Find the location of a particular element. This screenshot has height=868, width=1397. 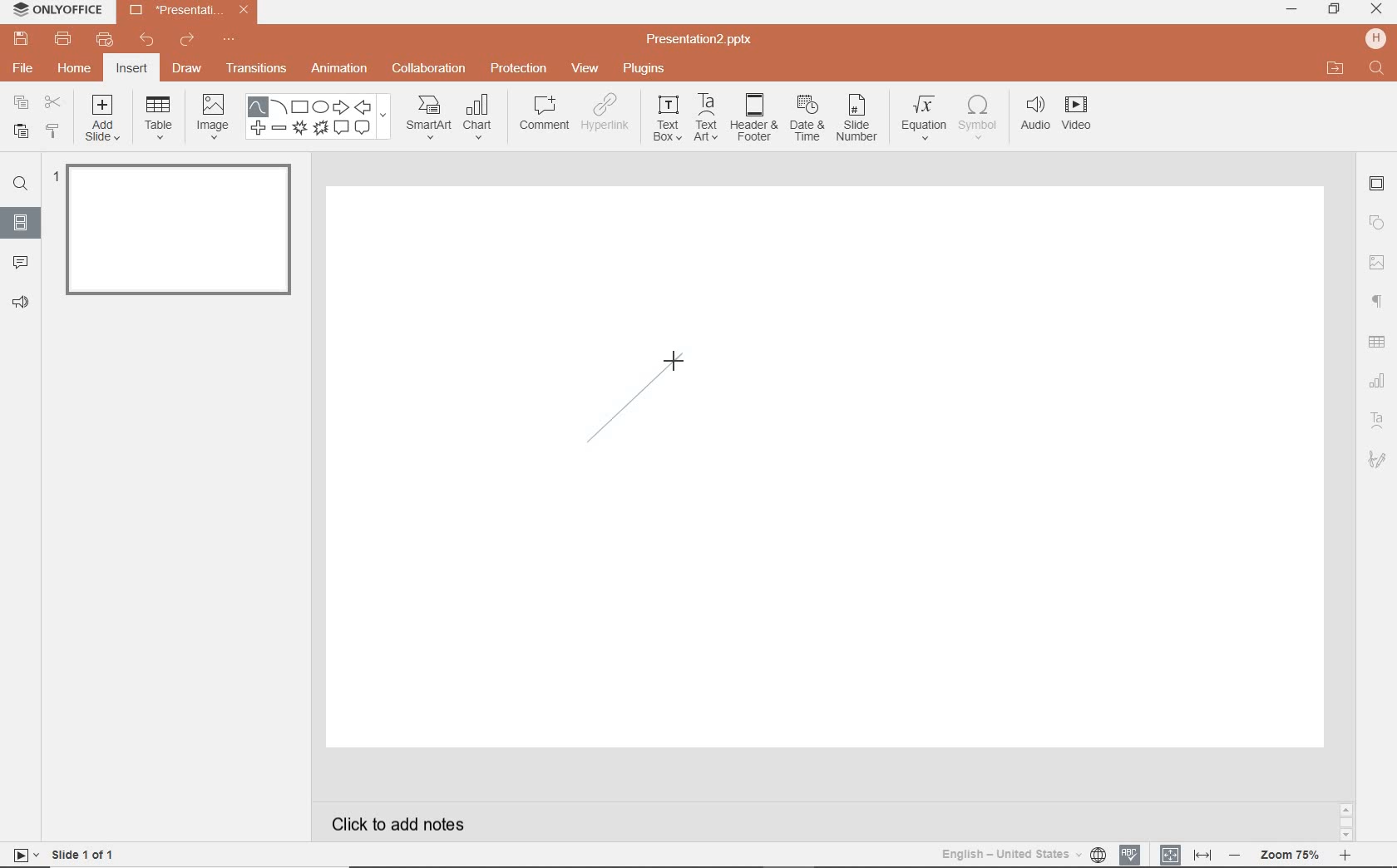

SLIDE 1 OF 1 is located at coordinates (67, 854).